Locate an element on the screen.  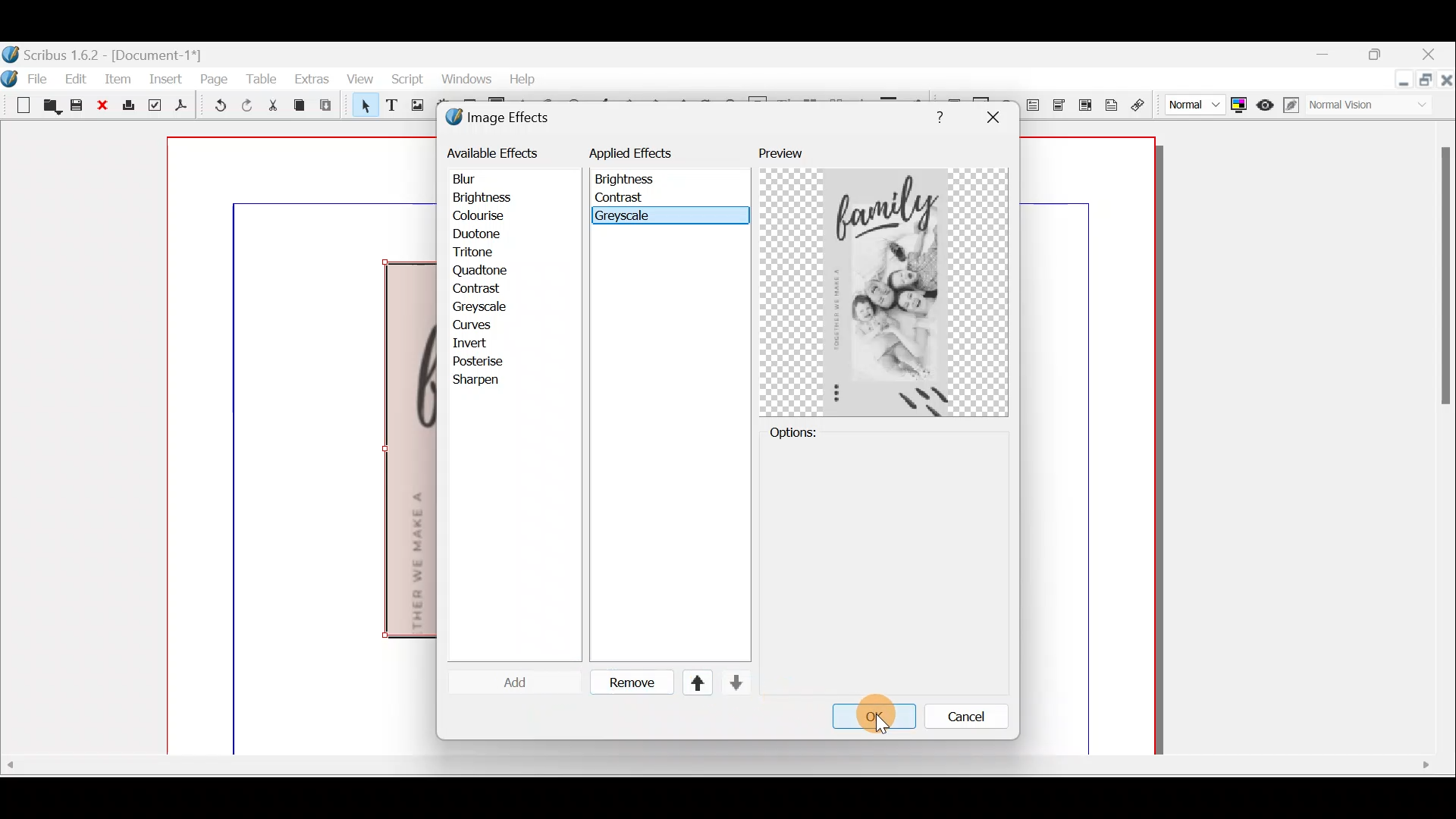
contrast is located at coordinates (485, 289).